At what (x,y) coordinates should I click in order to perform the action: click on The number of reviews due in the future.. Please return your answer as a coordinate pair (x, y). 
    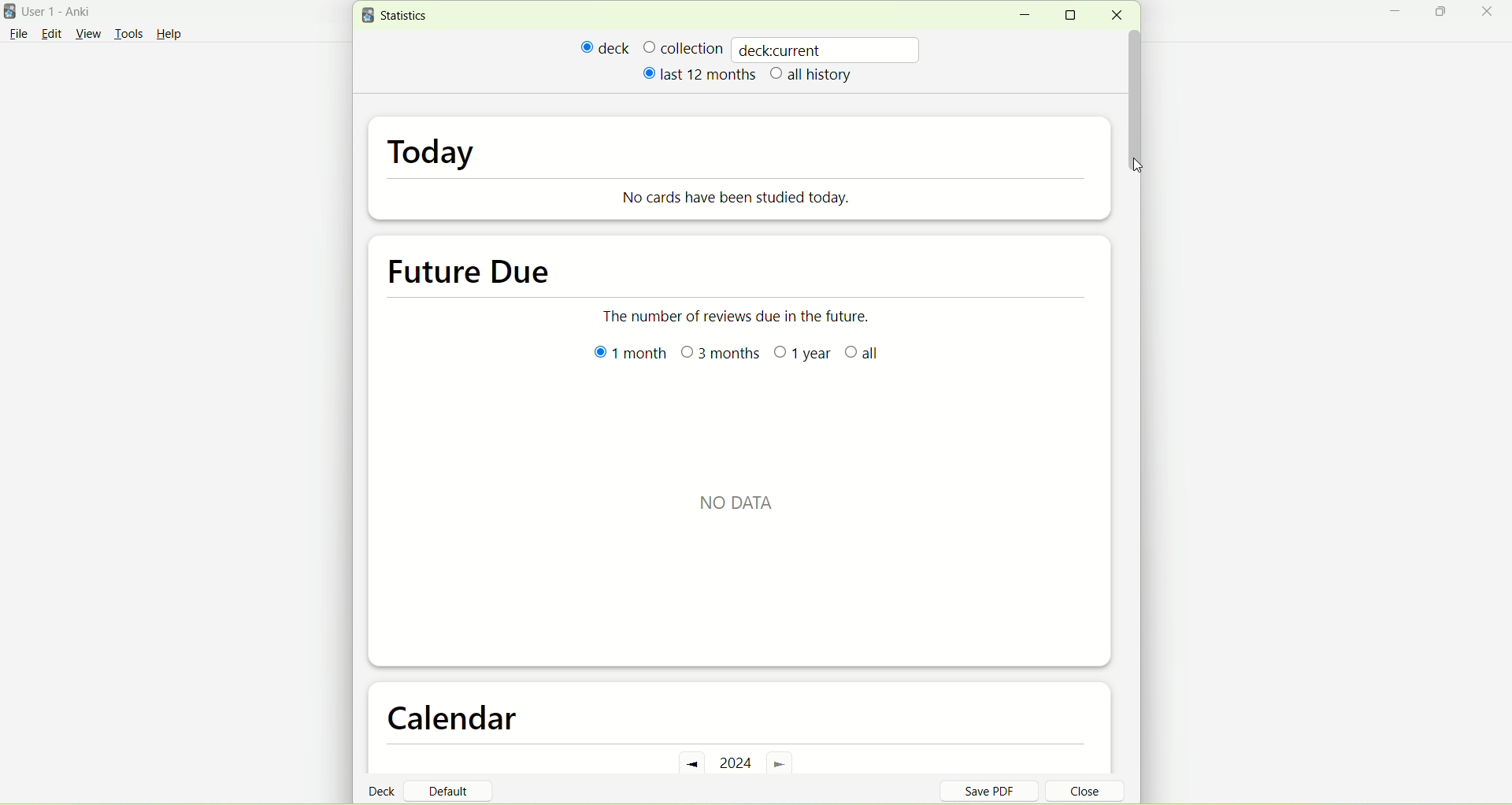
    Looking at the image, I should click on (746, 310).